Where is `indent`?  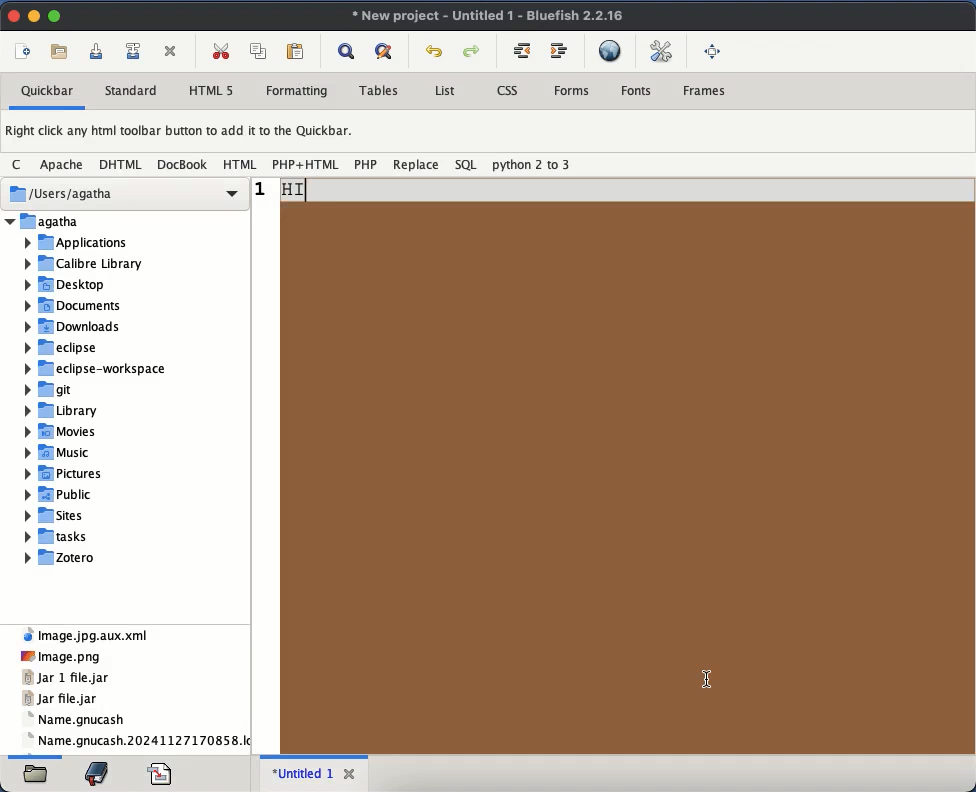 indent is located at coordinates (559, 54).